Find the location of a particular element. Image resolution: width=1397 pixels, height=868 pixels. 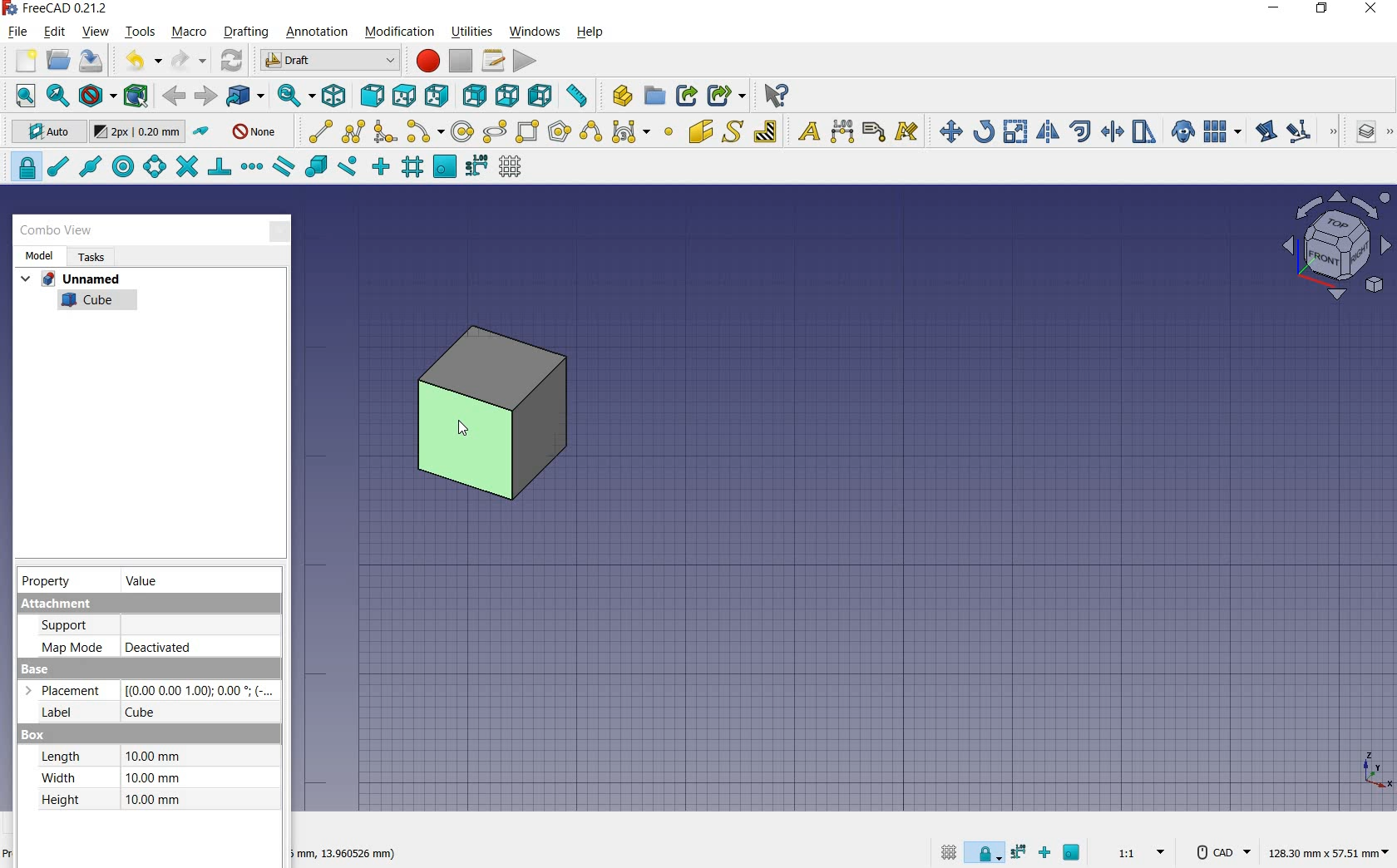

manage layers is located at coordinates (1367, 133).